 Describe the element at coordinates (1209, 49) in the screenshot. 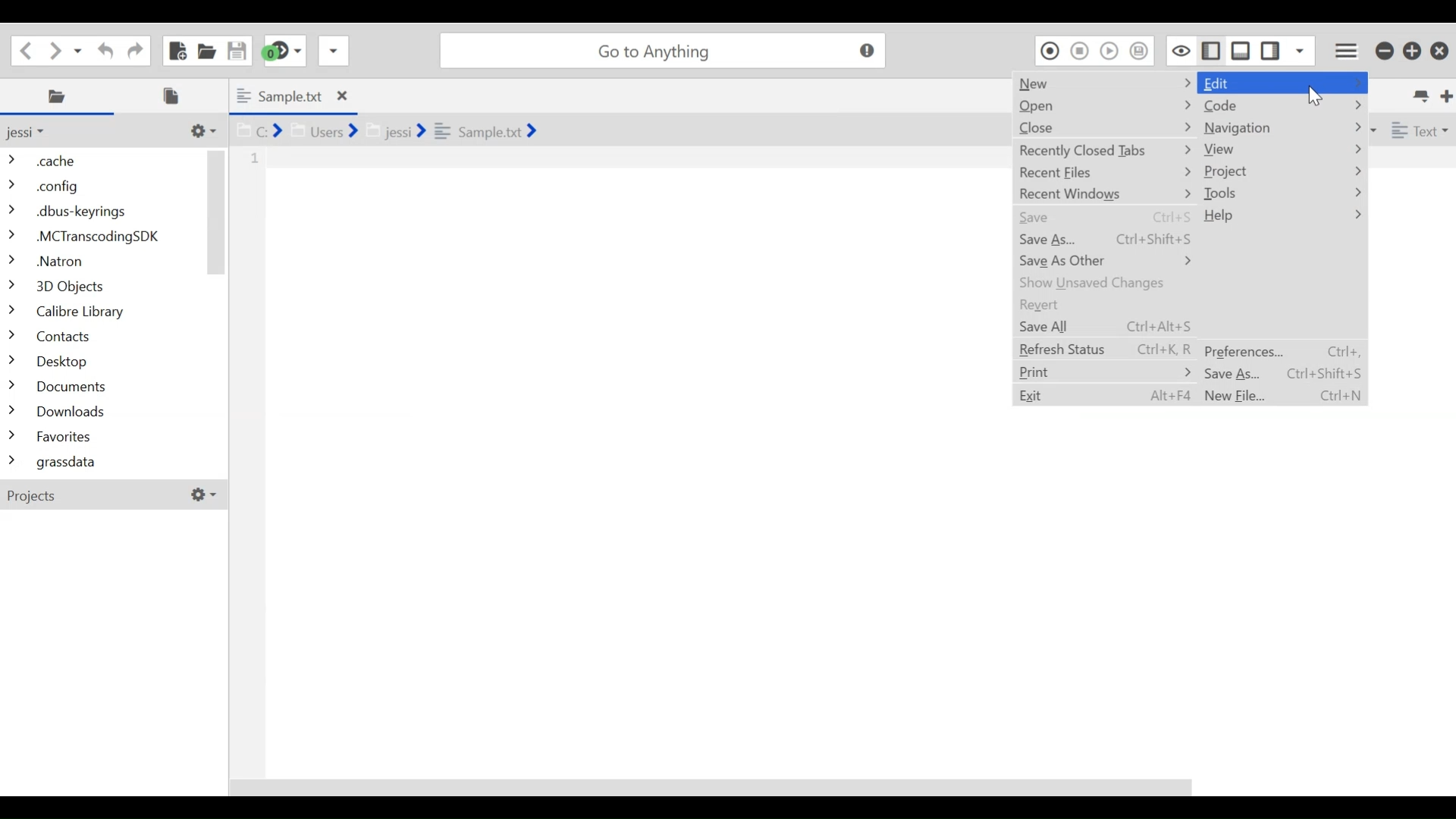

I see `Show/Hide Right pane` at that location.